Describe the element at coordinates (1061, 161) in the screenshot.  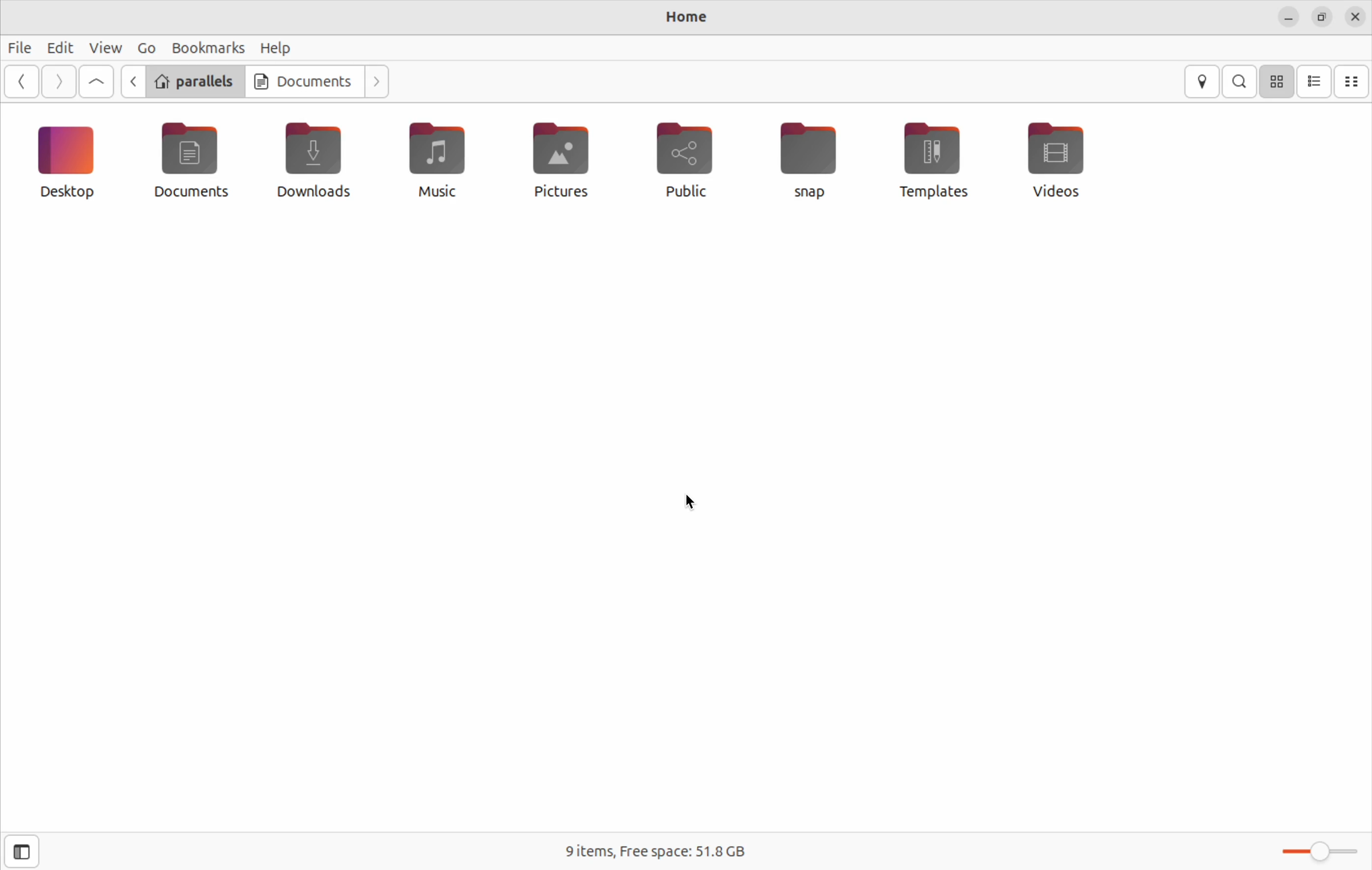
I see `videos` at that location.